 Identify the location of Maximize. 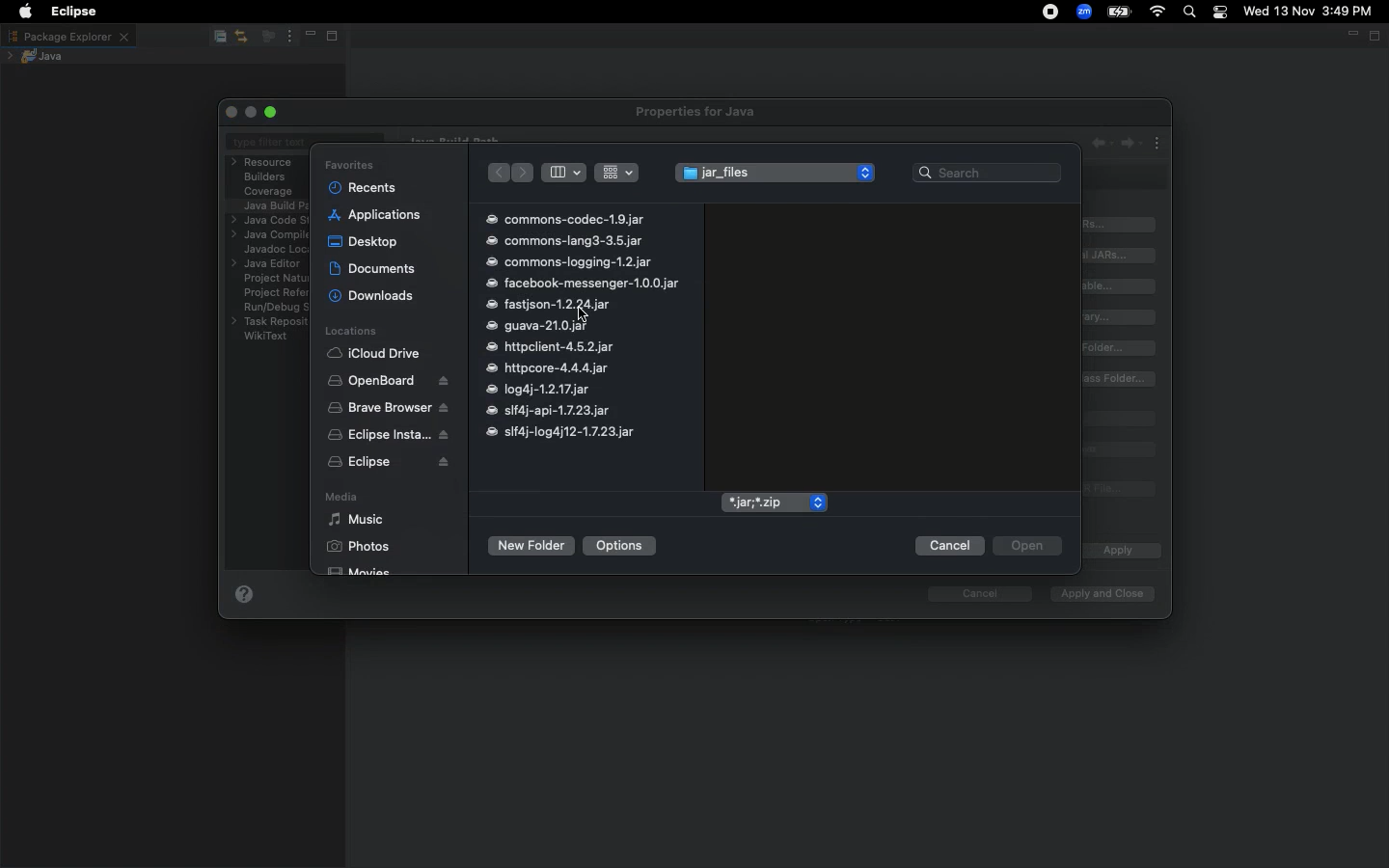
(338, 38).